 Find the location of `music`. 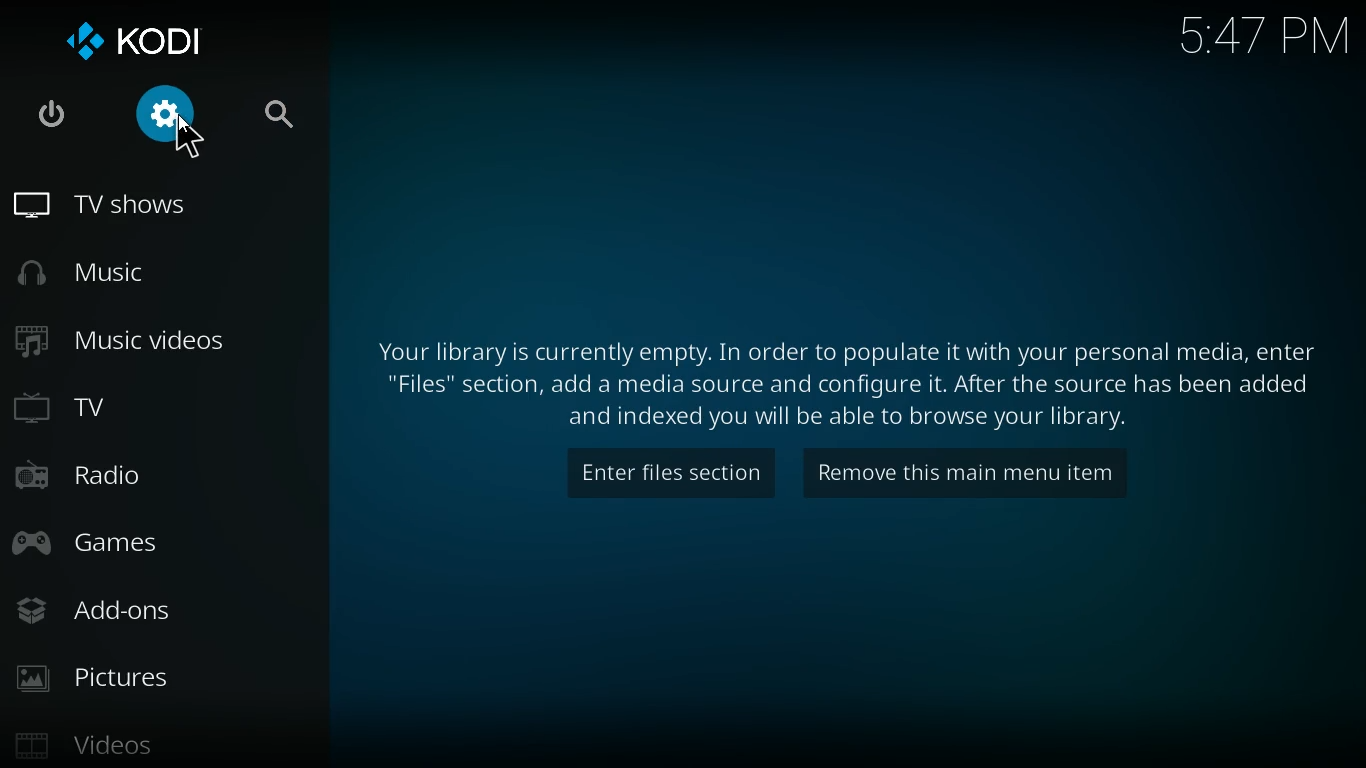

music is located at coordinates (157, 273).